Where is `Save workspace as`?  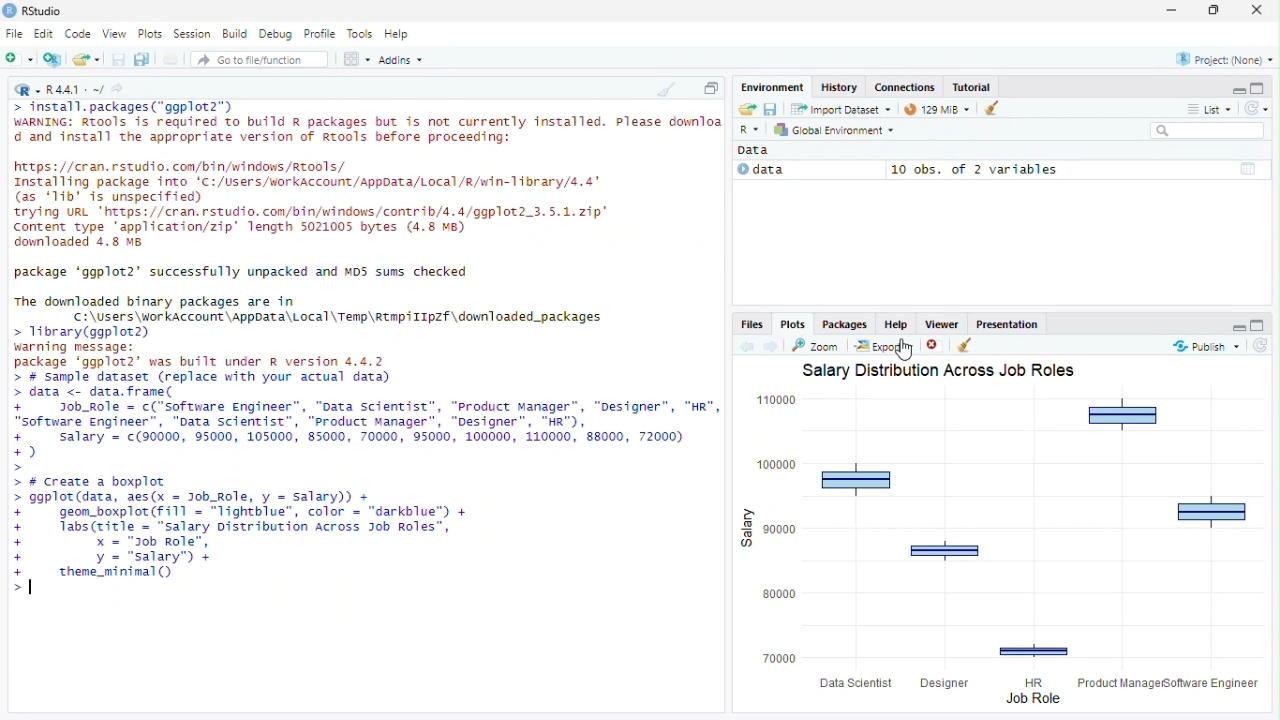 Save workspace as is located at coordinates (770, 108).